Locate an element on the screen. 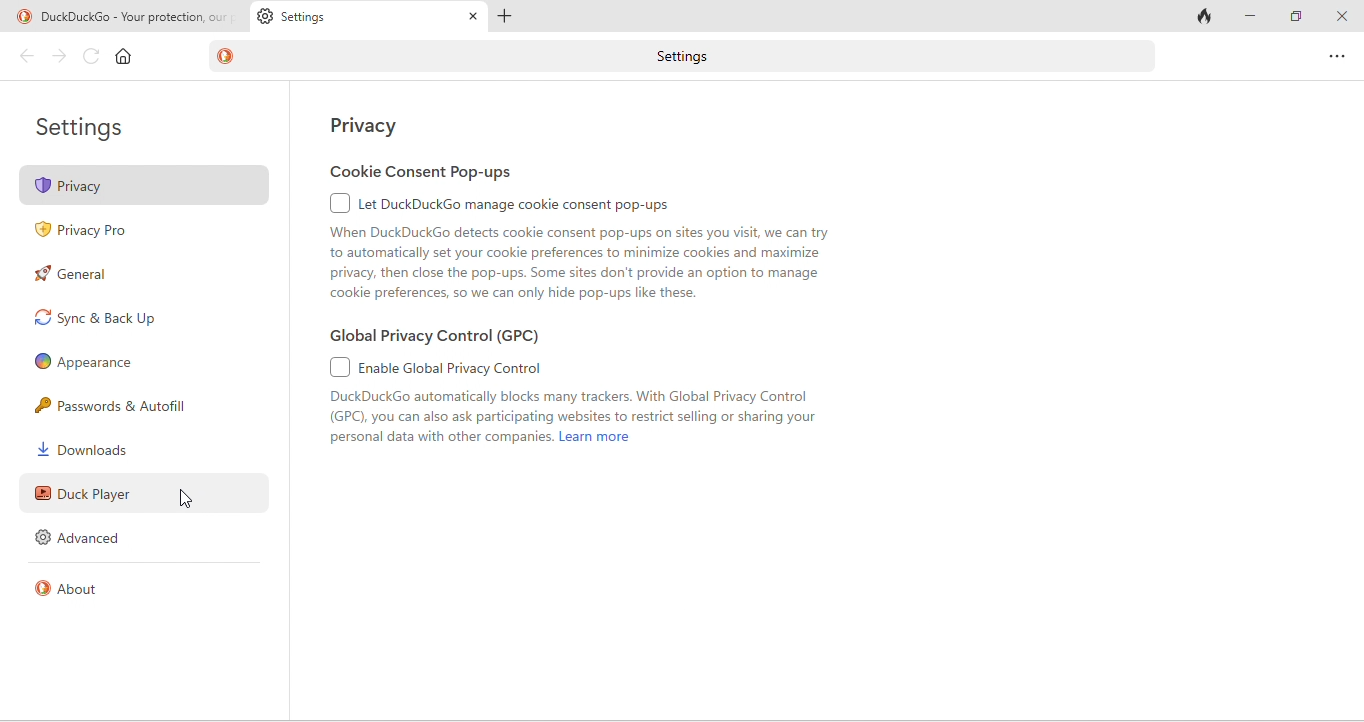  cursor movement is located at coordinates (190, 499).